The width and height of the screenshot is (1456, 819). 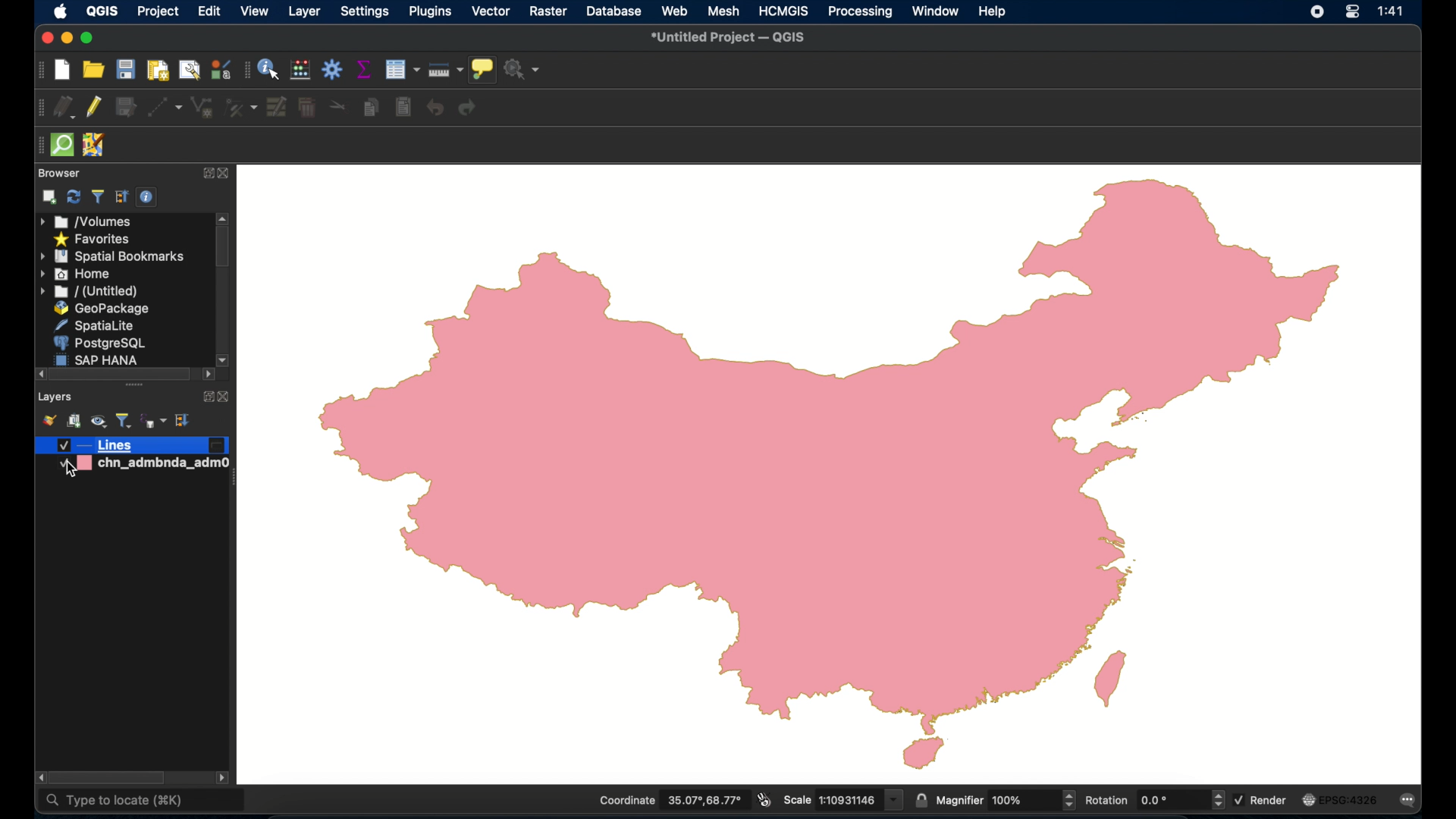 What do you see at coordinates (125, 108) in the screenshot?
I see `save edits` at bounding box center [125, 108].